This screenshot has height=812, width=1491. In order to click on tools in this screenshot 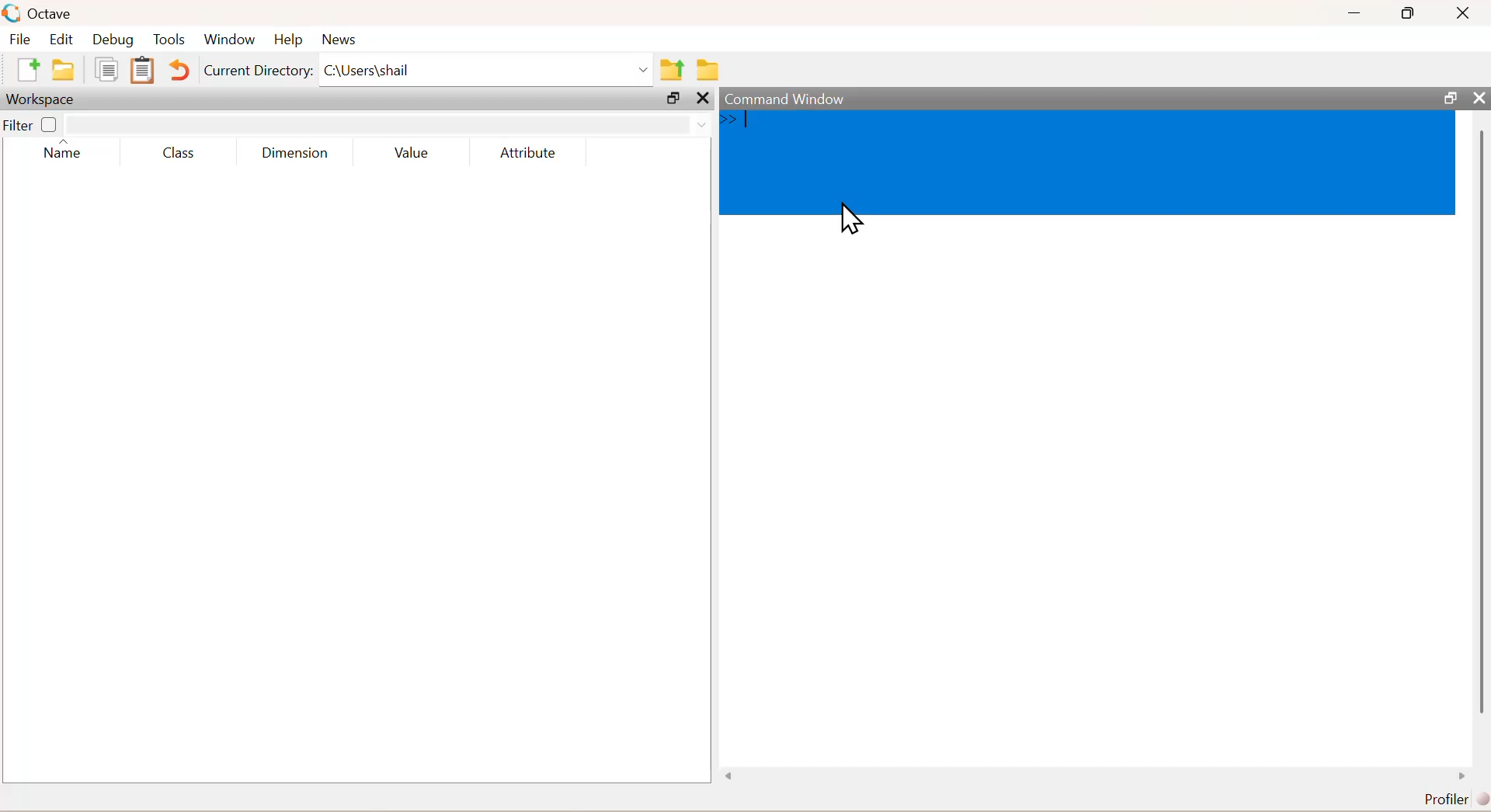, I will do `click(171, 39)`.